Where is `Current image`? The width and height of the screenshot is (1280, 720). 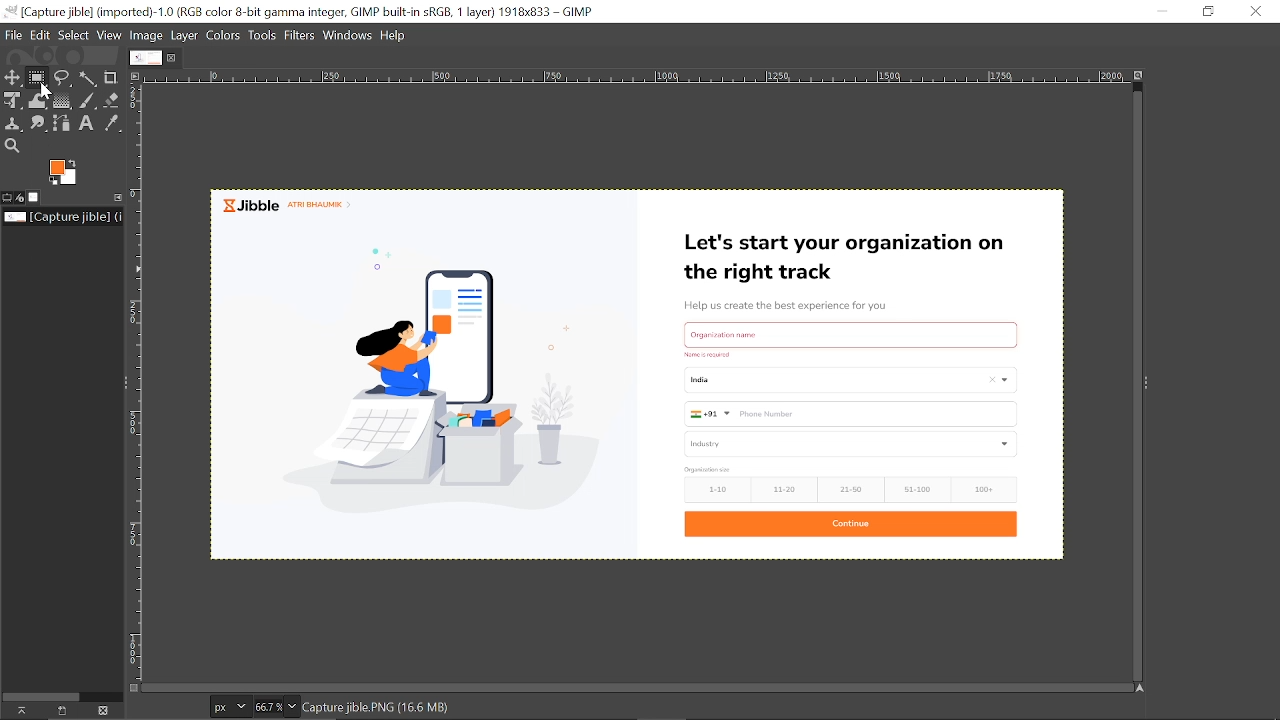
Current image is located at coordinates (637, 375).